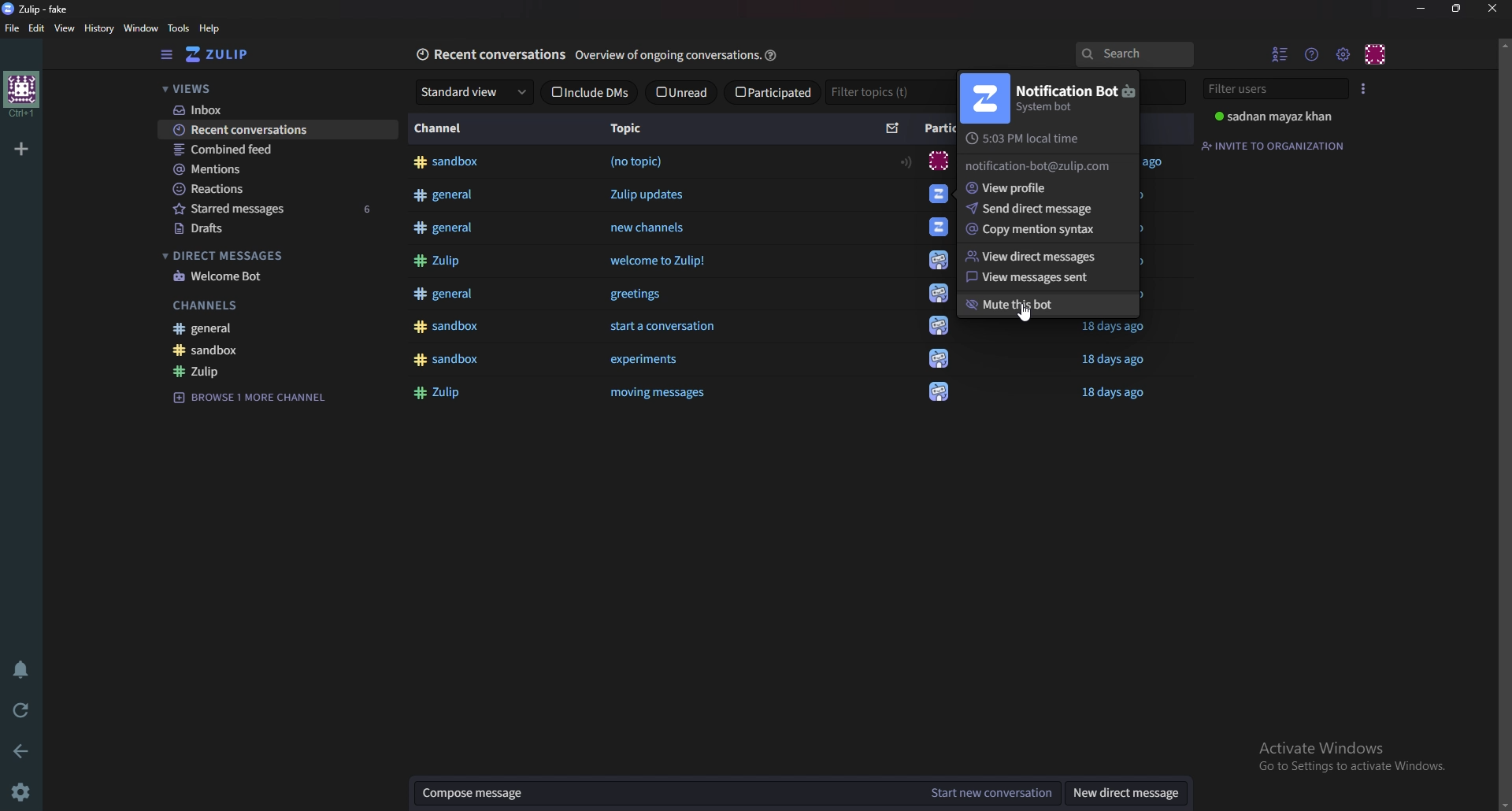 The height and width of the screenshot is (811, 1512). What do you see at coordinates (24, 146) in the screenshot?
I see `Add organization` at bounding box center [24, 146].